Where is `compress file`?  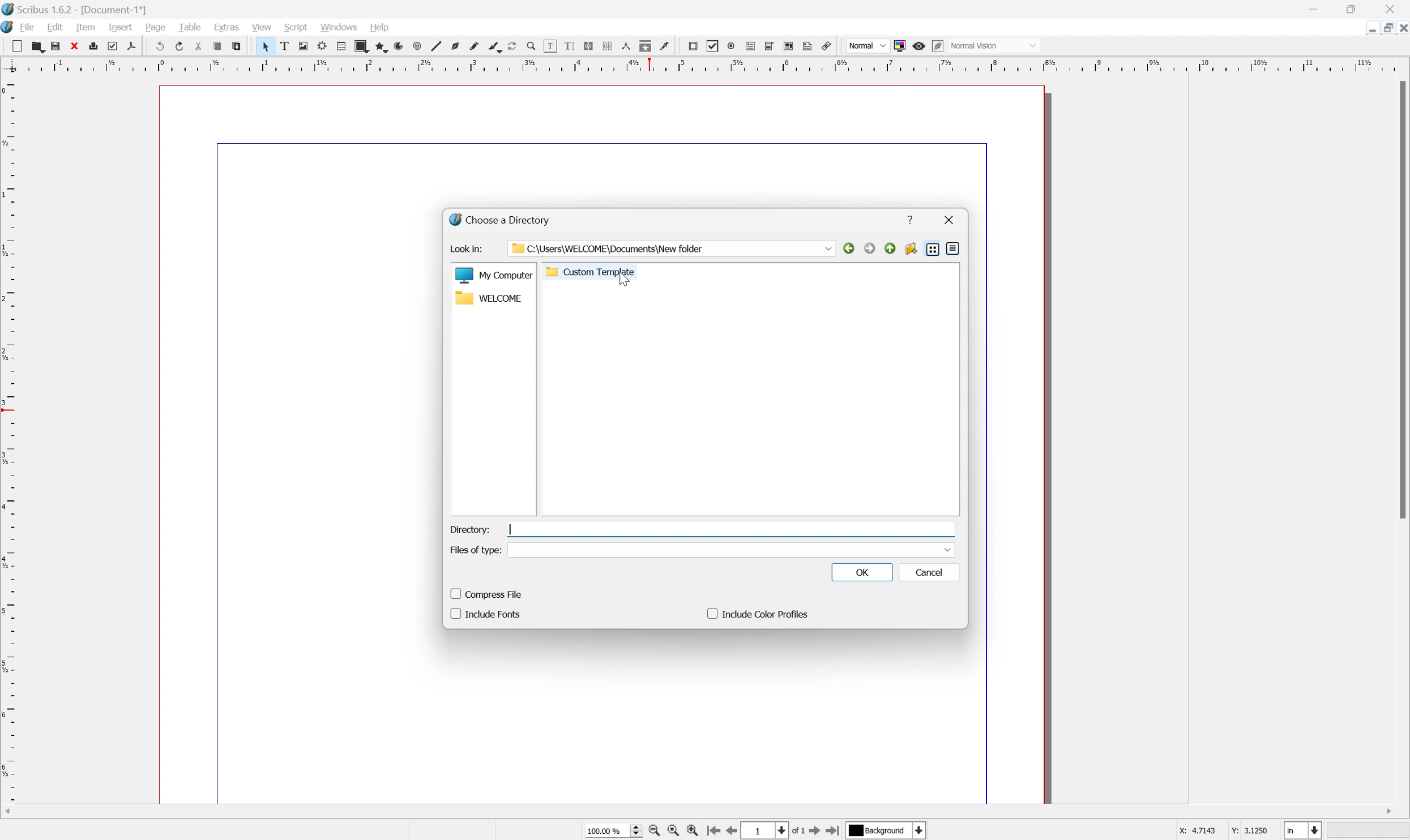 compress file is located at coordinates (488, 593).